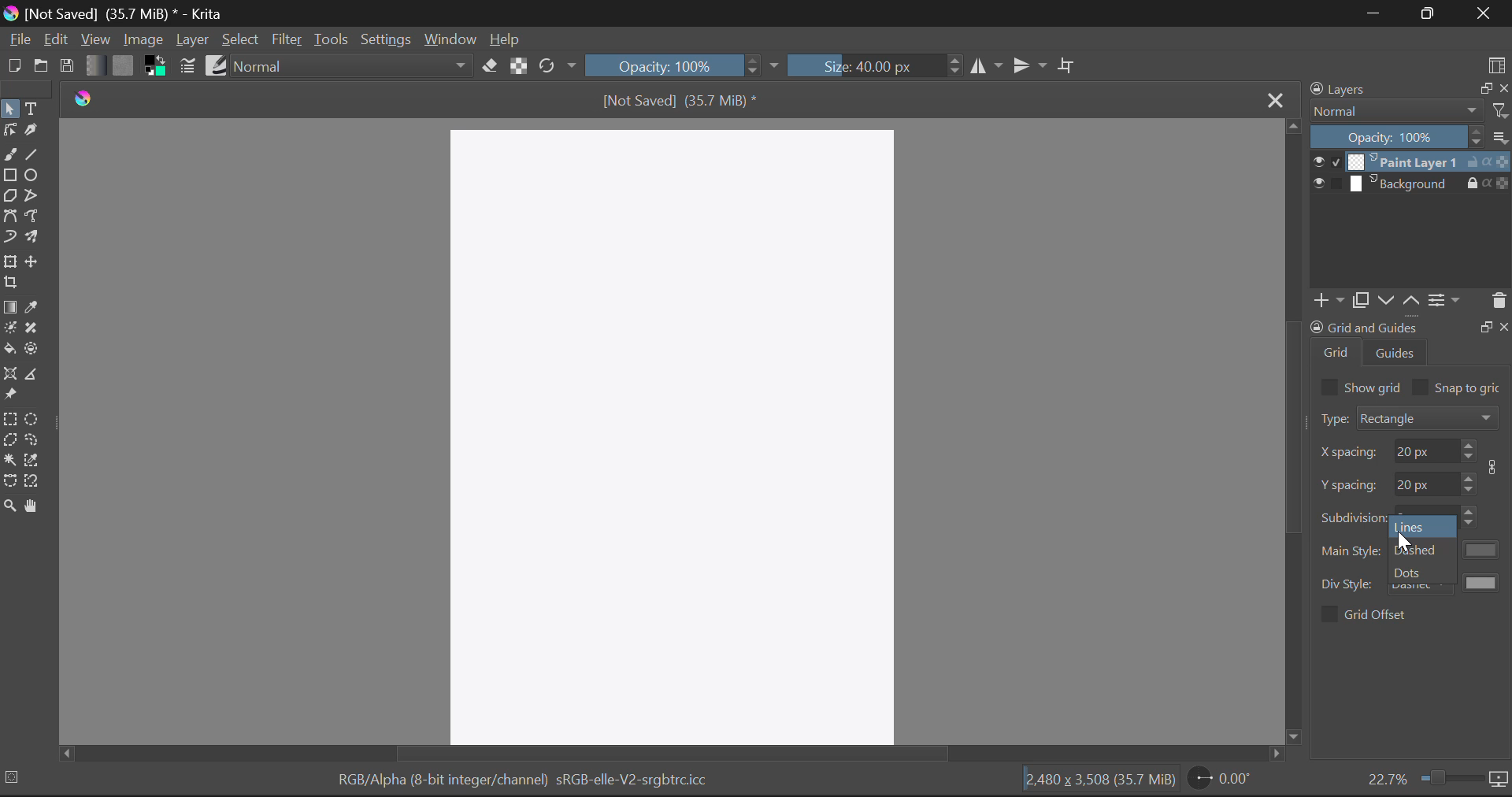 This screenshot has height=797, width=1512. What do you see at coordinates (241, 40) in the screenshot?
I see `Select` at bounding box center [241, 40].